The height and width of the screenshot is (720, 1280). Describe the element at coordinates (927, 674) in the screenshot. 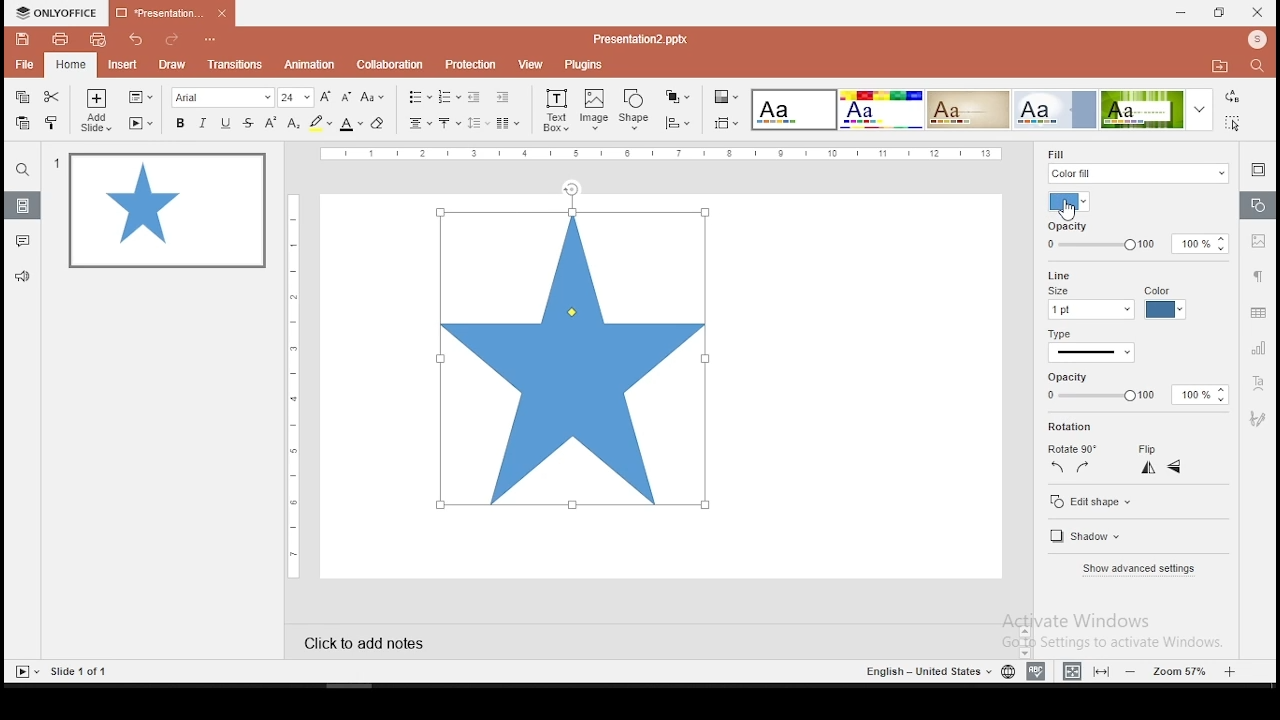

I see `english - united states` at that location.